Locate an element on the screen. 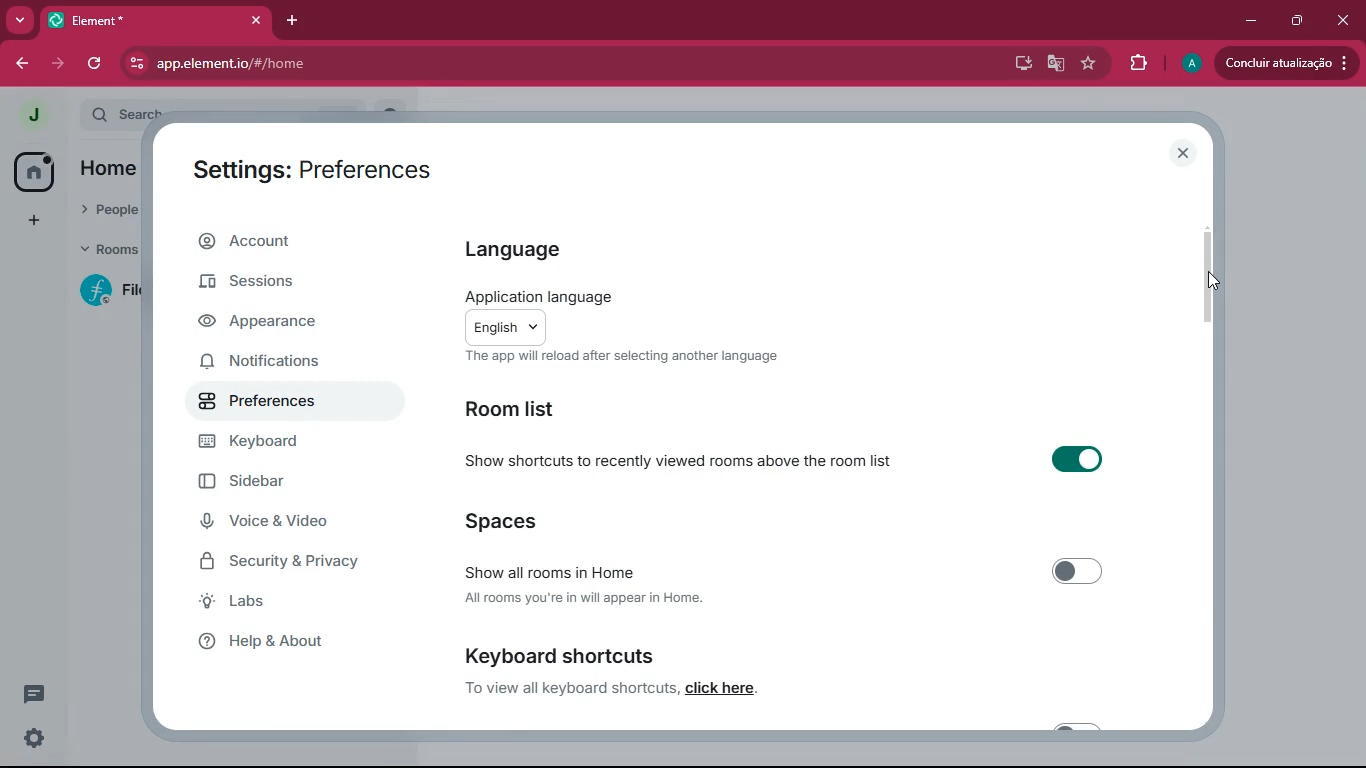  close is located at coordinates (1342, 21).